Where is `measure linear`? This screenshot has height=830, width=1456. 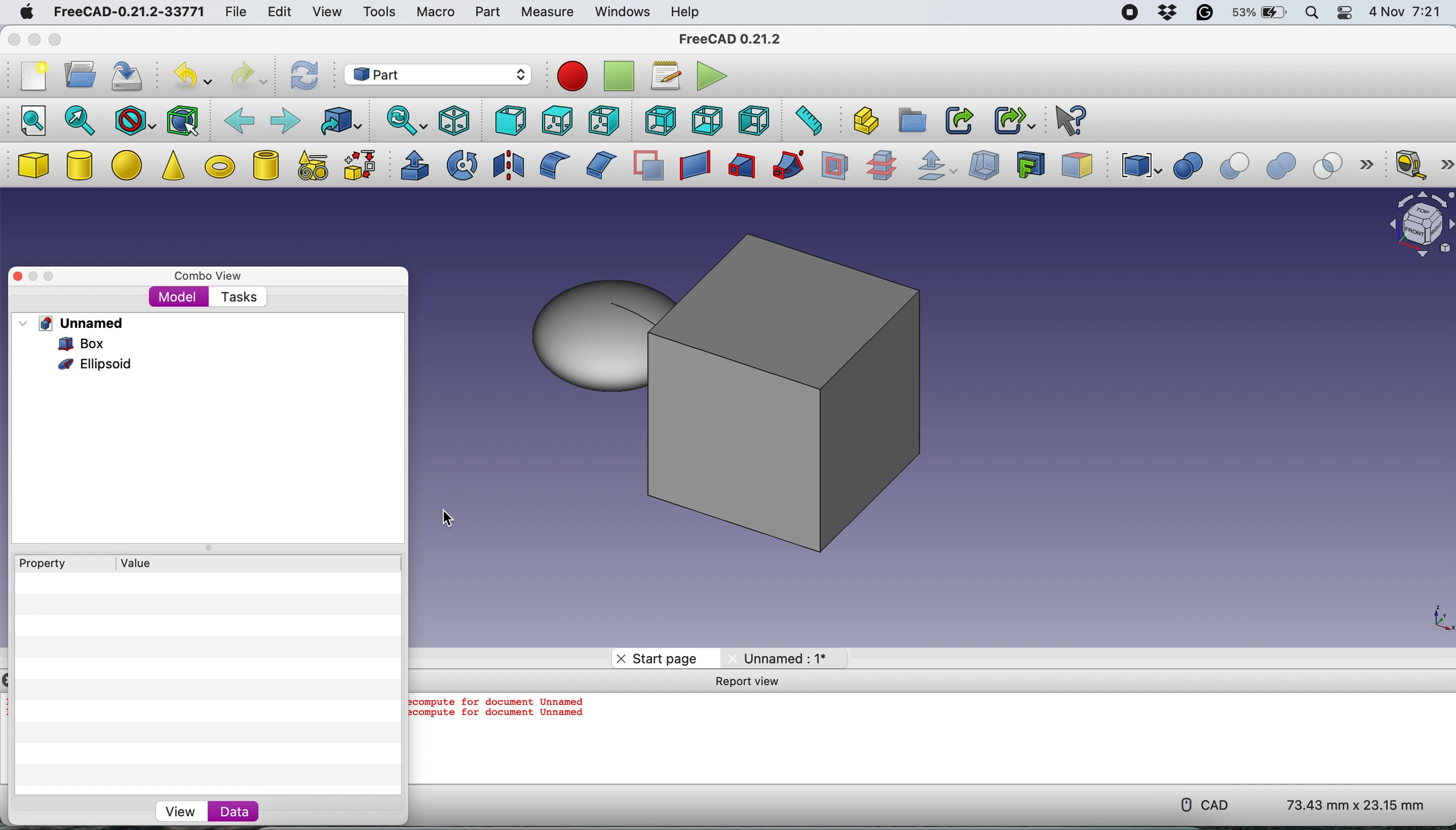 measure linear is located at coordinates (1409, 164).